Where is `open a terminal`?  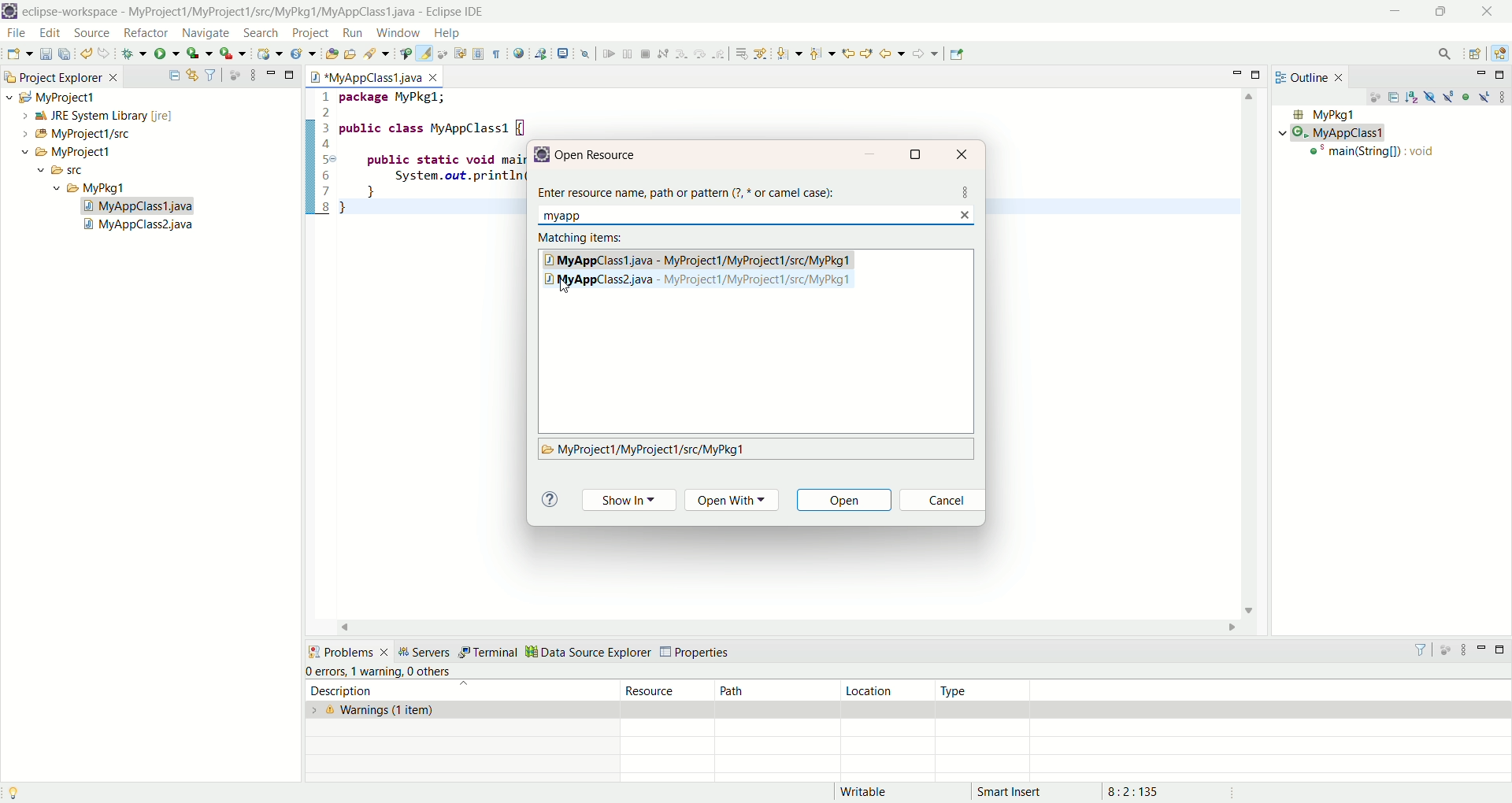
open a terminal is located at coordinates (563, 54).